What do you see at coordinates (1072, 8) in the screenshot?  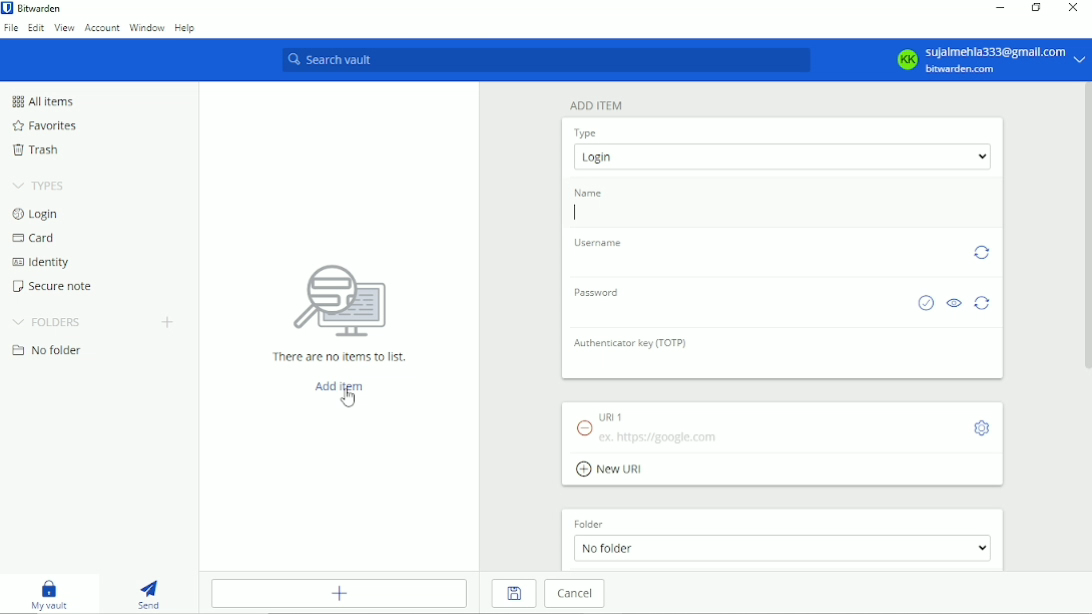 I see `Close` at bounding box center [1072, 8].